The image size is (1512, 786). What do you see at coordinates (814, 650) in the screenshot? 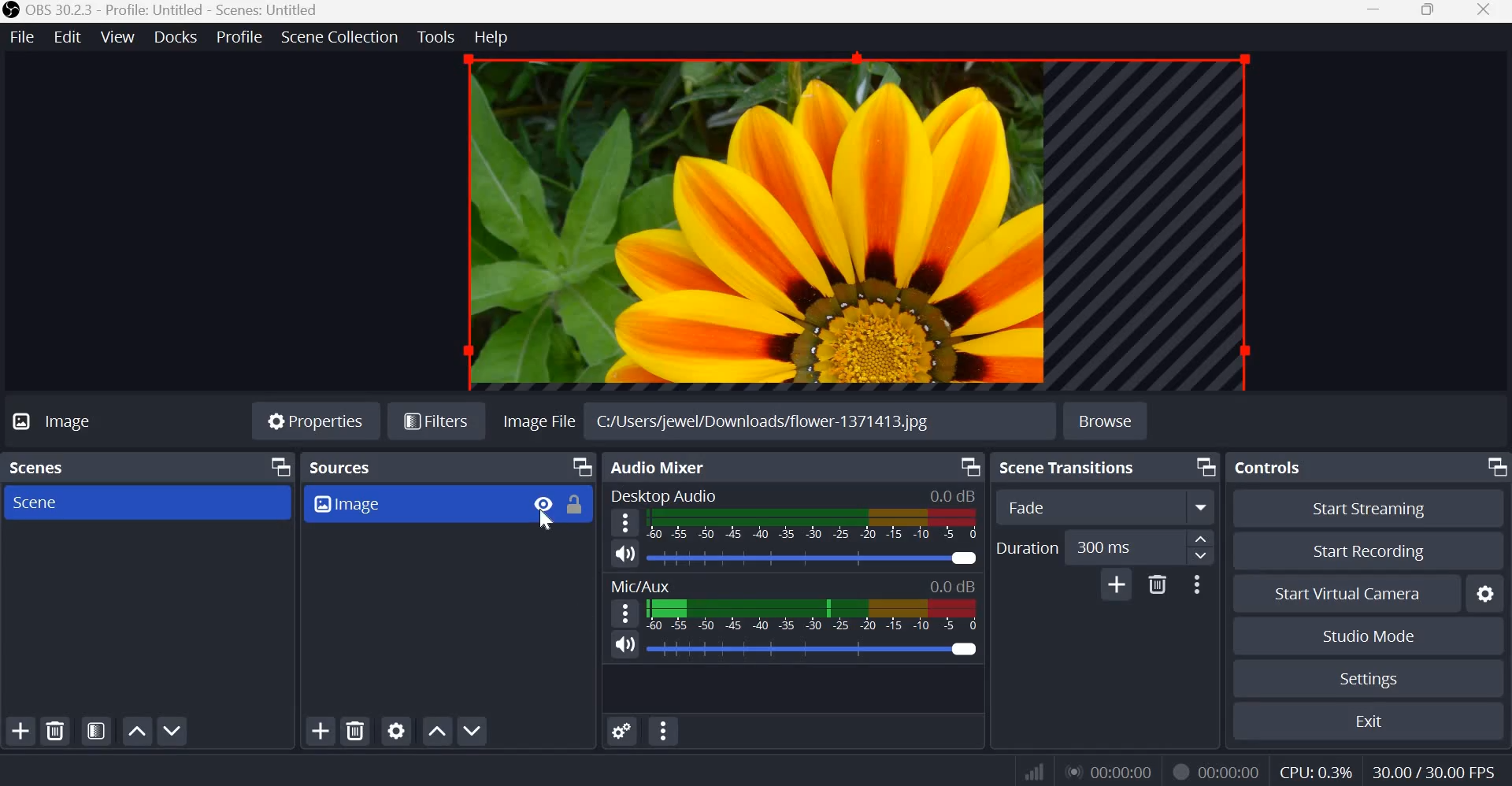
I see `Audio Slider` at bounding box center [814, 650].